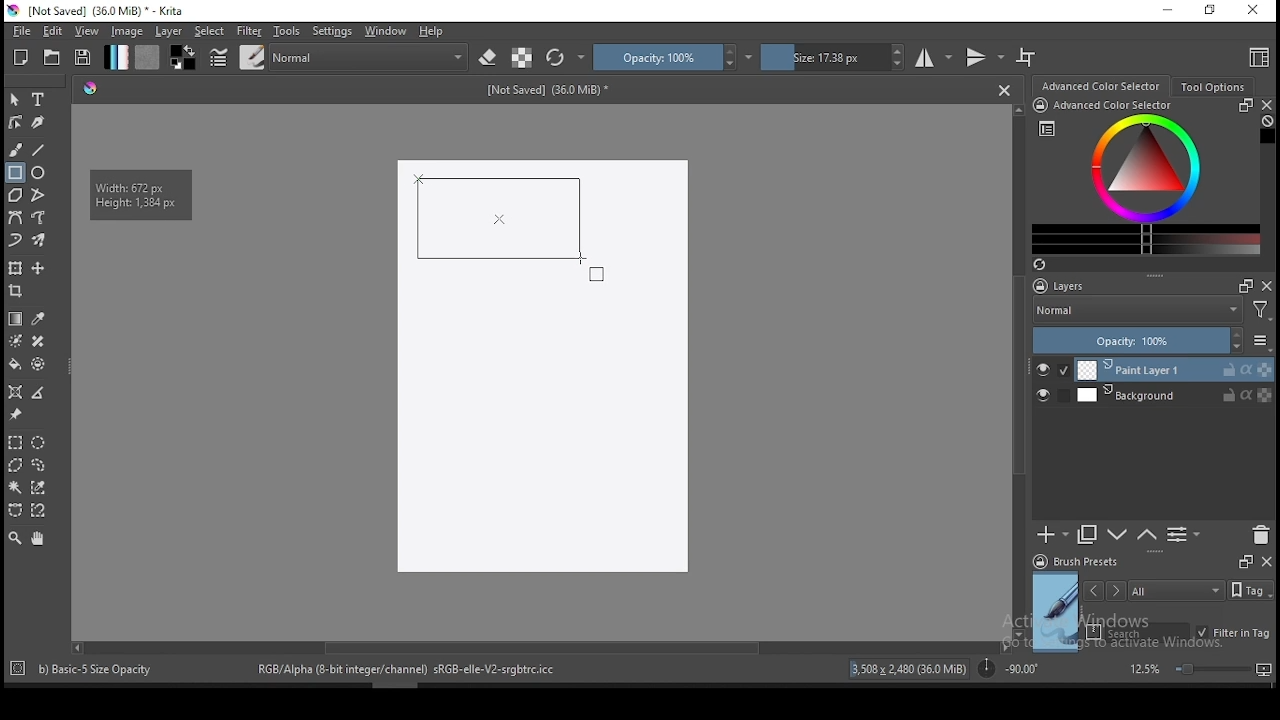 The image size is (1280, 720). What do you see at coordinates (15, 99) in the screenshot?
I see `select shapes tool` at bounding box center [15, 99].